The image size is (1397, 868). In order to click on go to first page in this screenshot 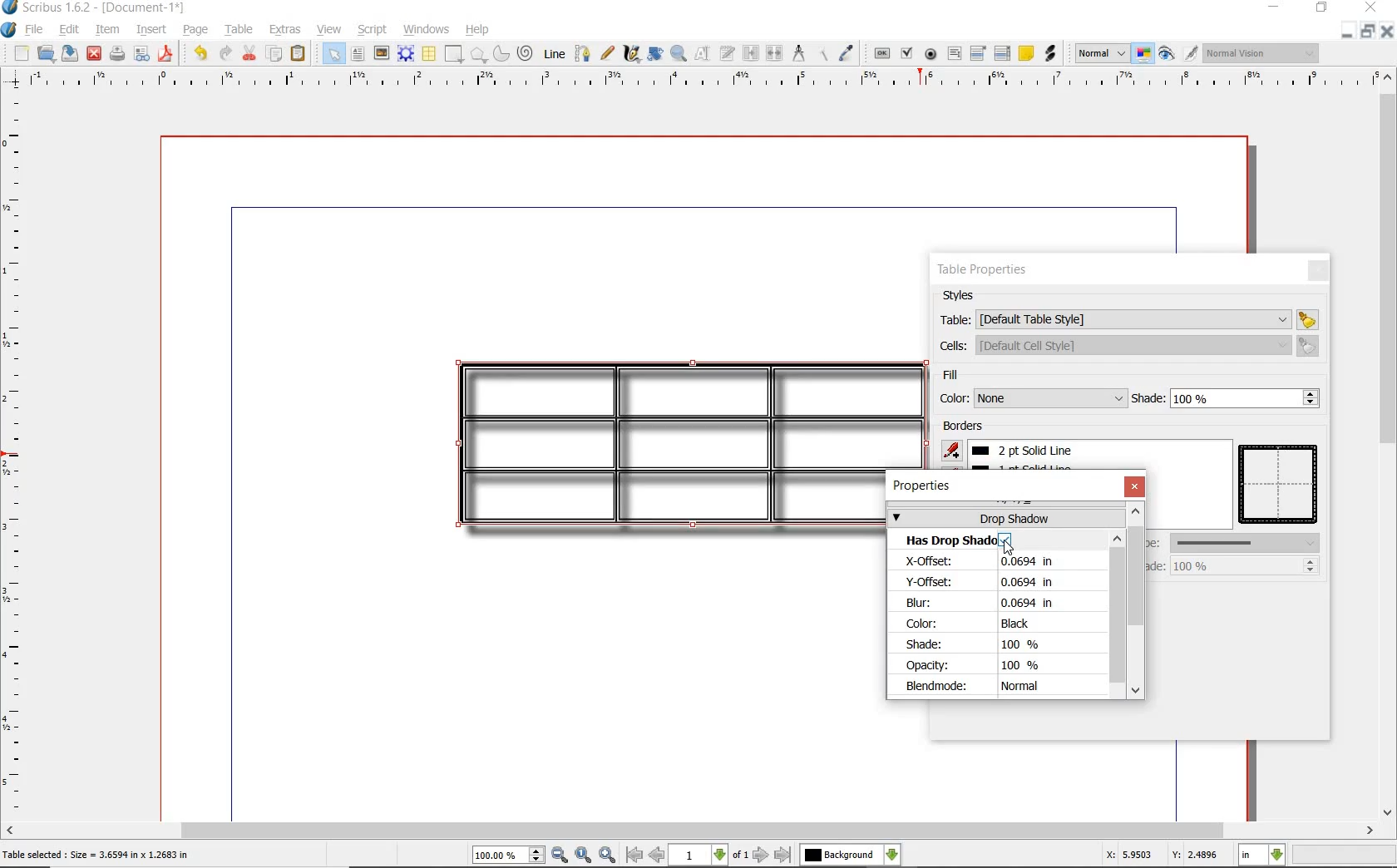, I will do `click(634, 856)`.